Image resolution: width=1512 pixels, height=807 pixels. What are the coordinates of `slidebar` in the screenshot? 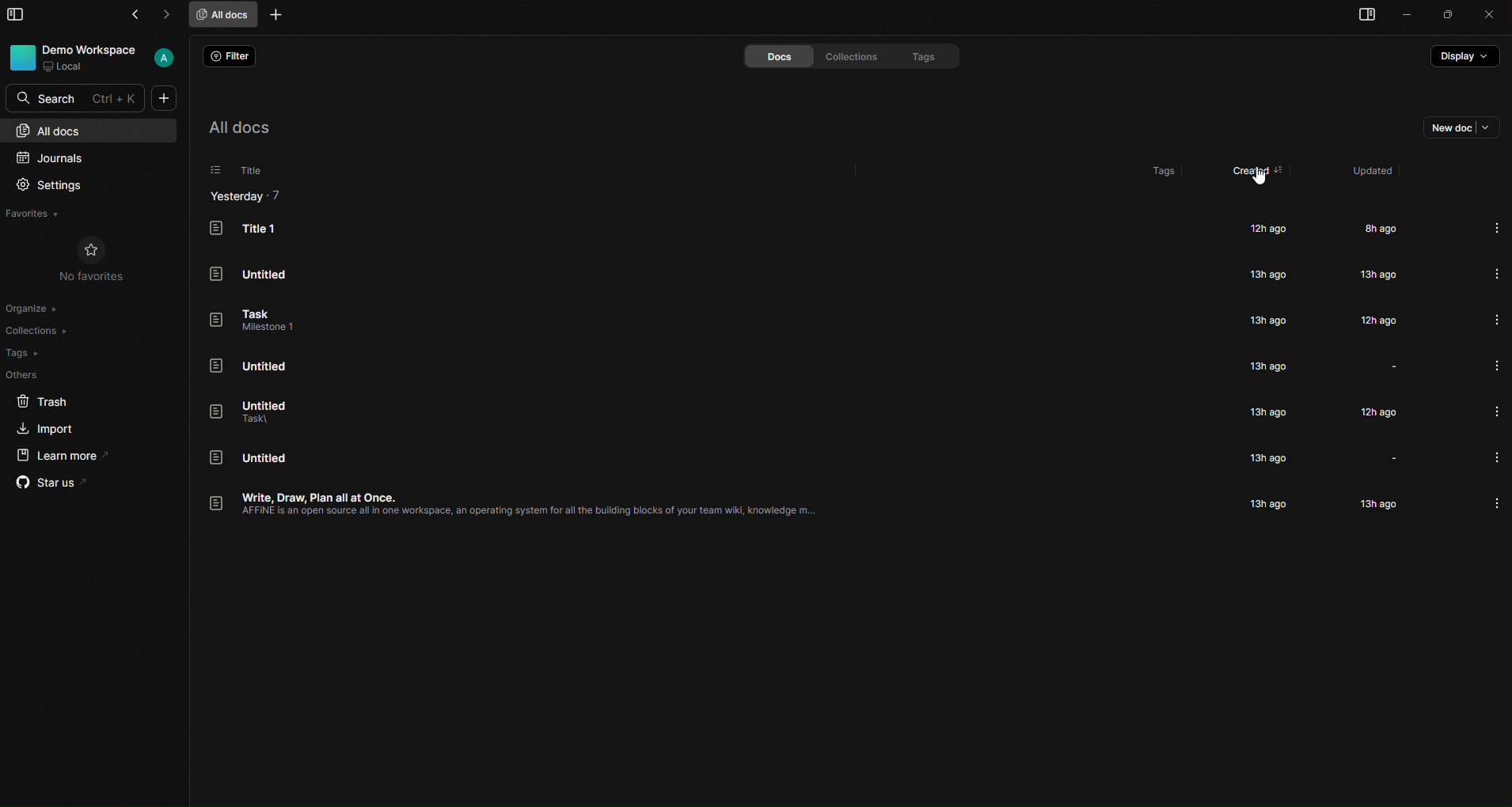 It's located at (18, 17).